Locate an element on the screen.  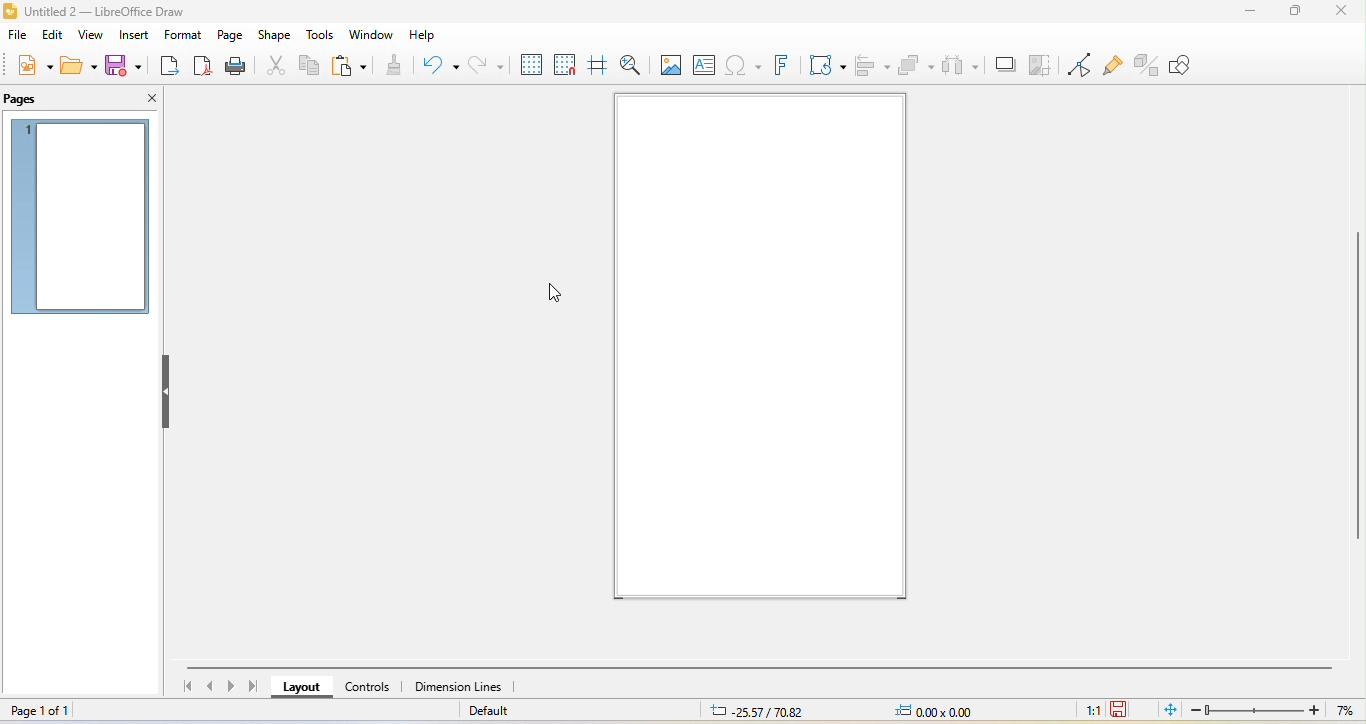
text box is located at coordinates (703, 65).